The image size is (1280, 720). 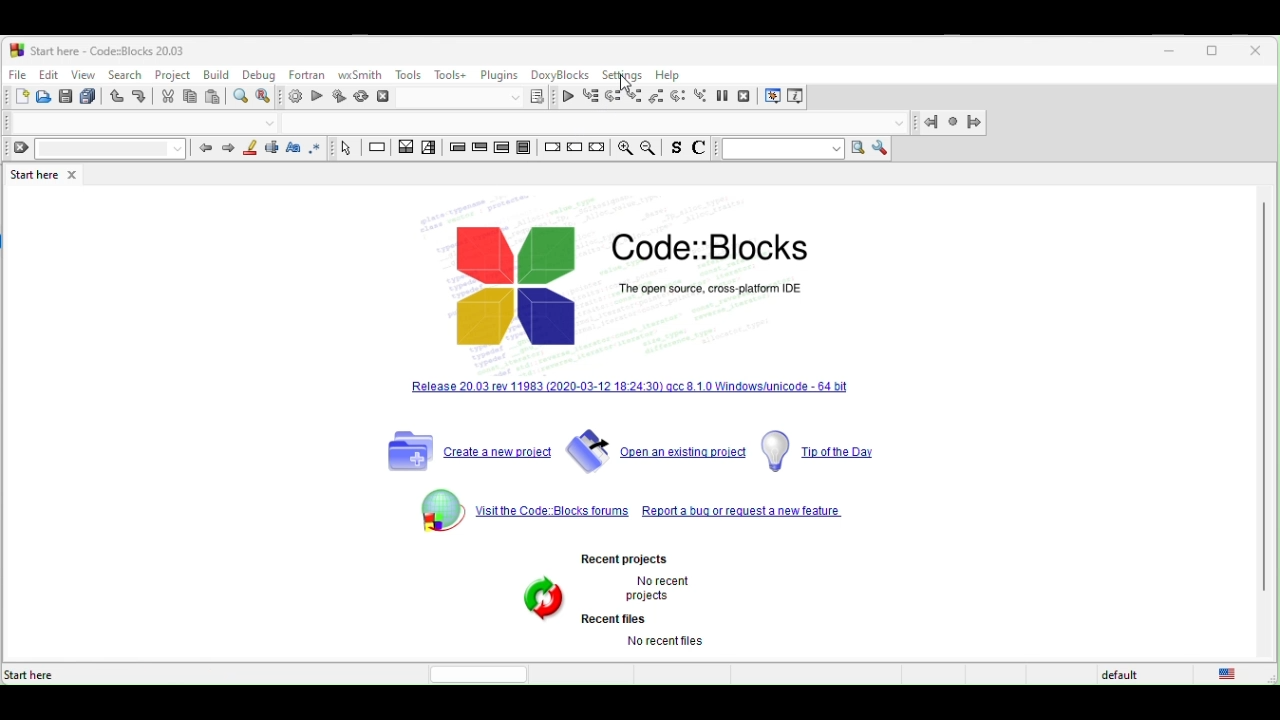 What do you see at coordinates (318, 98) in the screenshot?
I see `run` at bounding box center [318, 98].